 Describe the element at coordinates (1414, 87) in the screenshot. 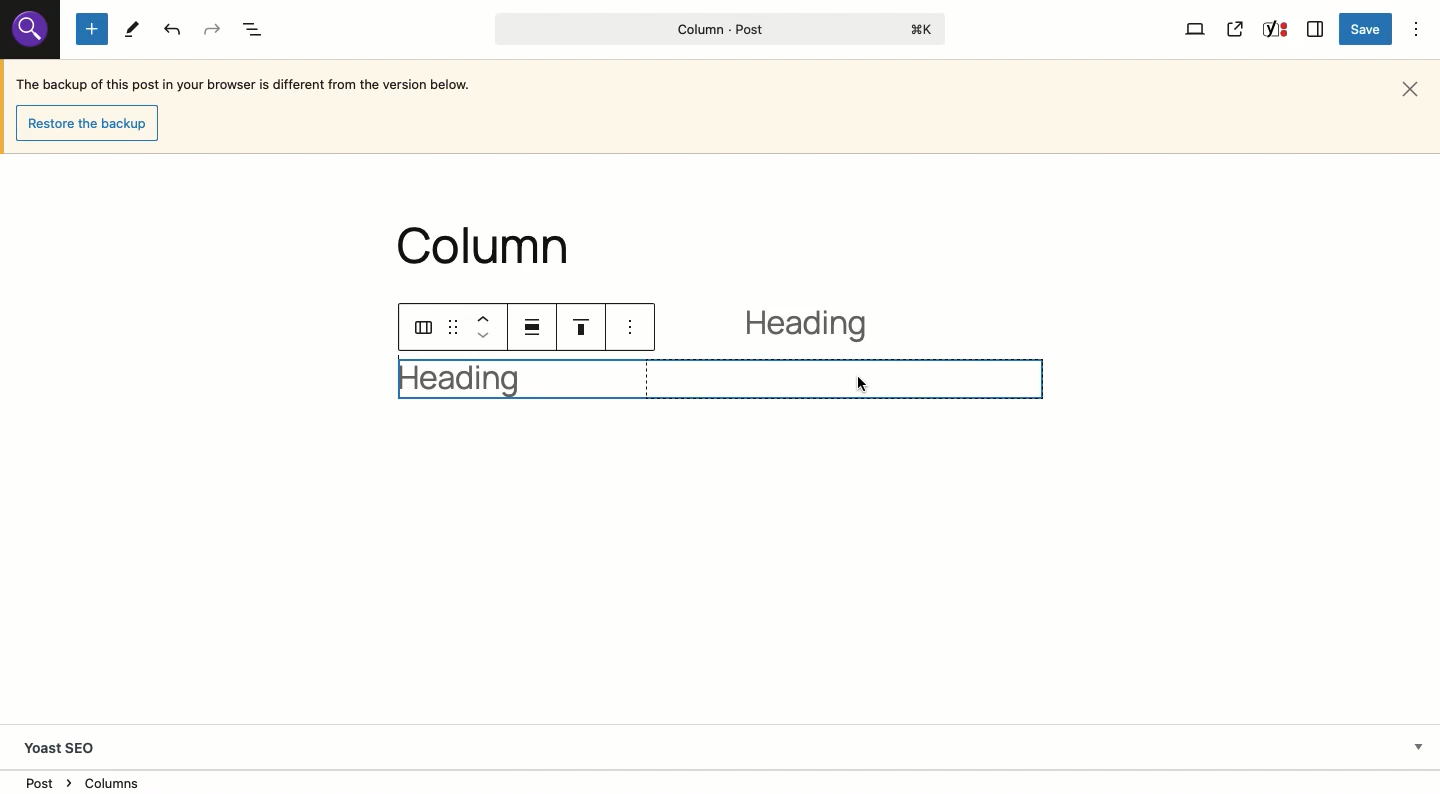

I see `Close` at that location.